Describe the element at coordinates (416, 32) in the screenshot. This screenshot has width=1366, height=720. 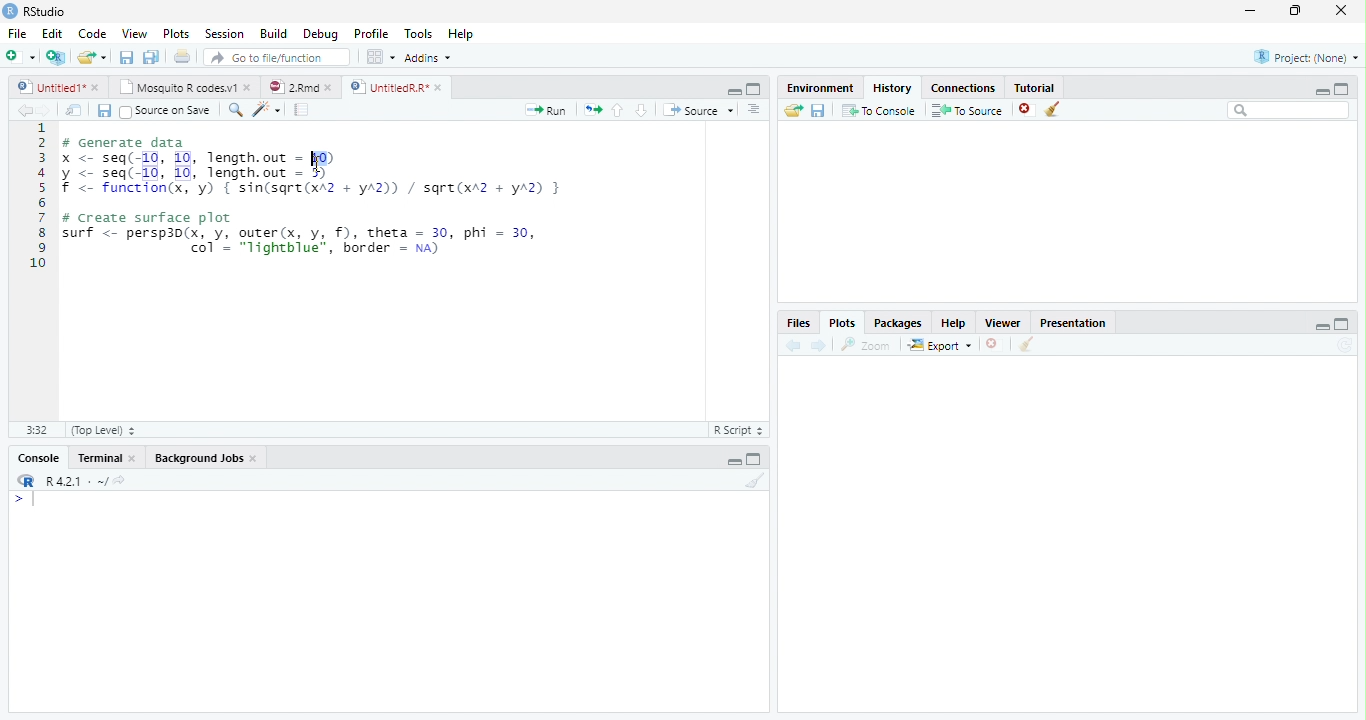
I see `Tools` at that location.